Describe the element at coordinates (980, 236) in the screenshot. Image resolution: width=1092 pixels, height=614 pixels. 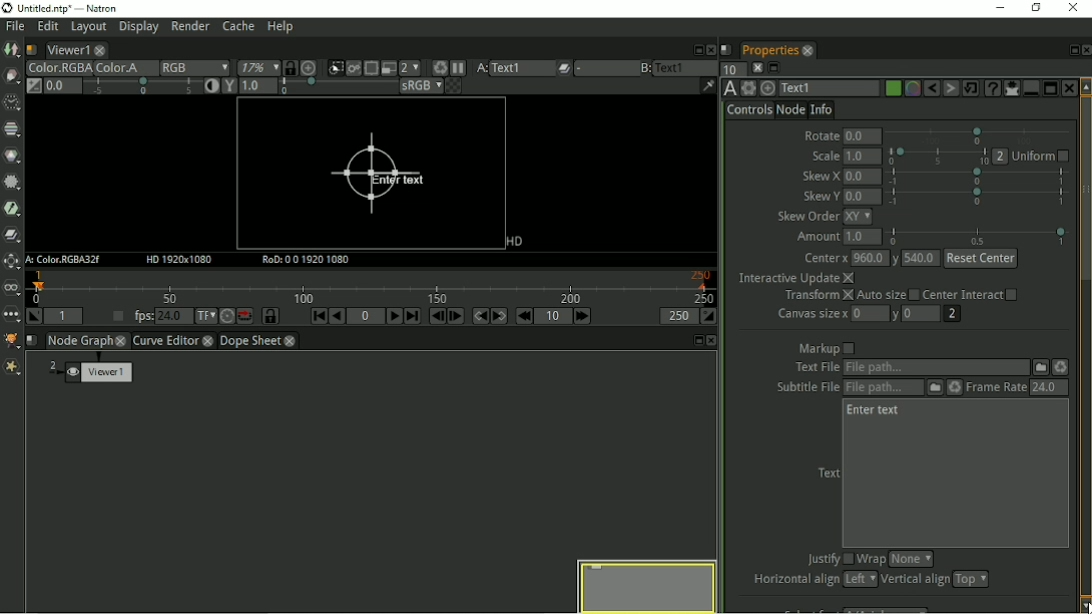
I see `selection bar` at that location.